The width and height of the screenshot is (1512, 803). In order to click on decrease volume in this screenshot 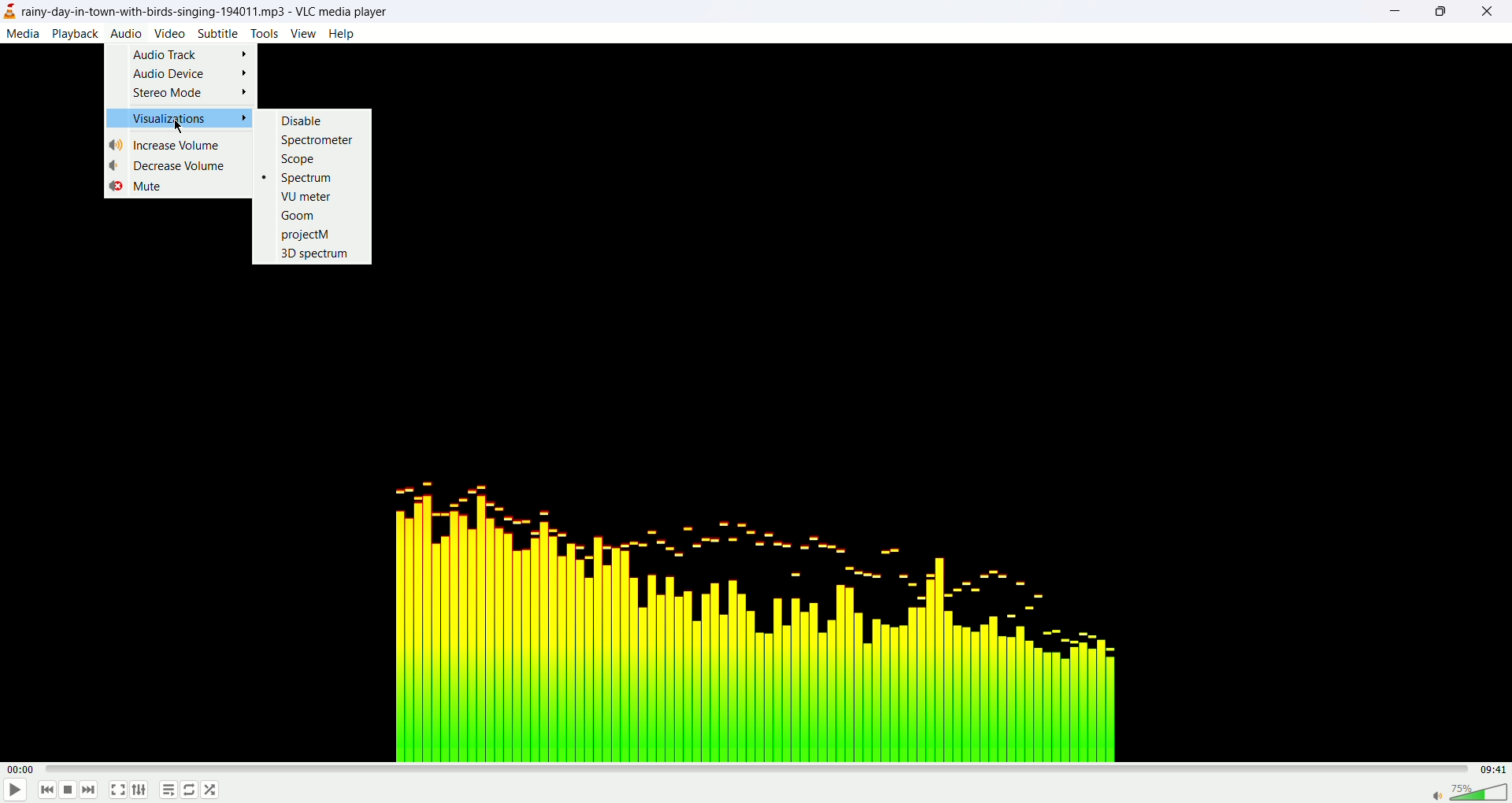, I will do `click(179, 165)`.